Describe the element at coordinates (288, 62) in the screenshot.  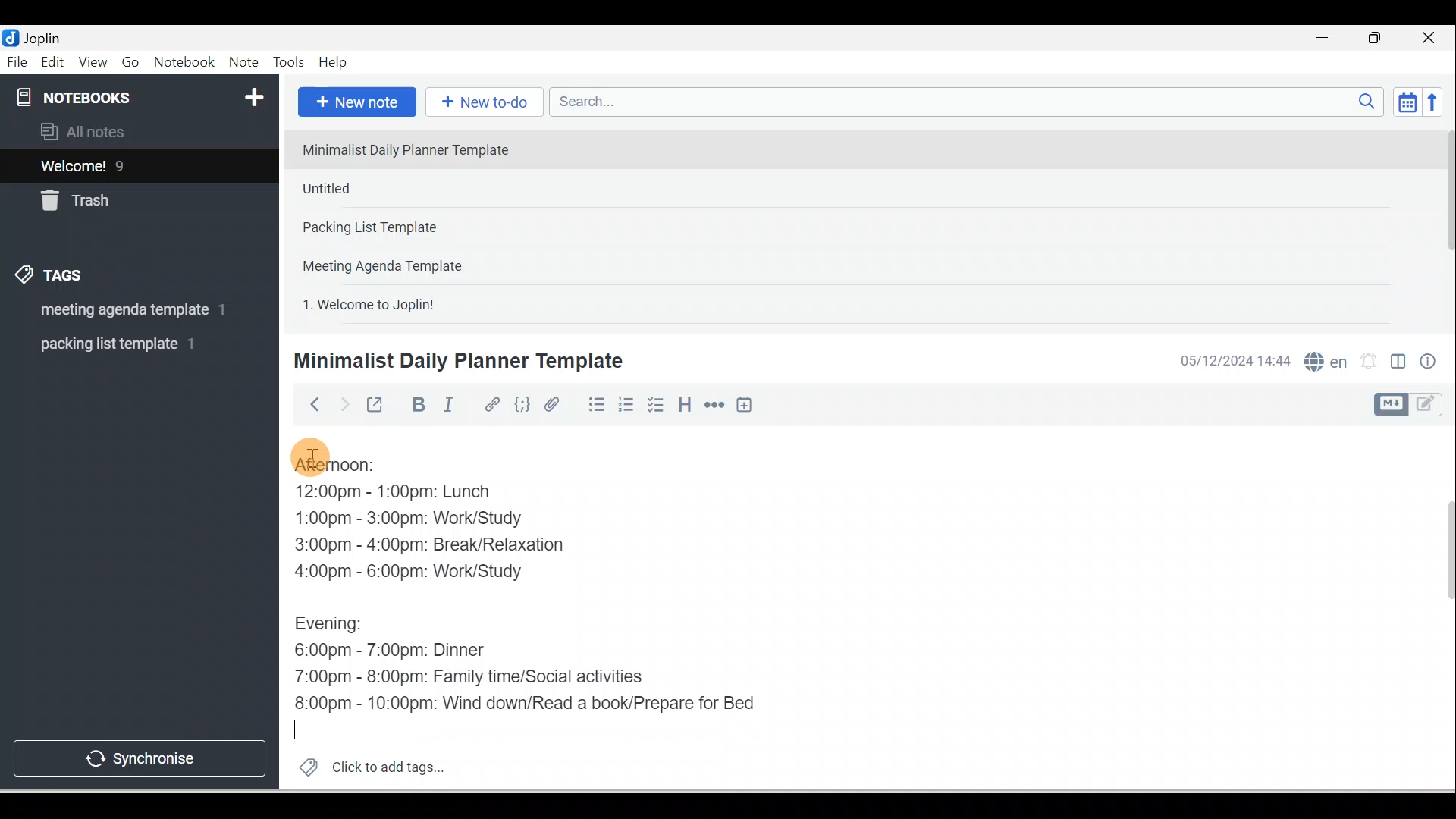
I see `Tools` at that location.